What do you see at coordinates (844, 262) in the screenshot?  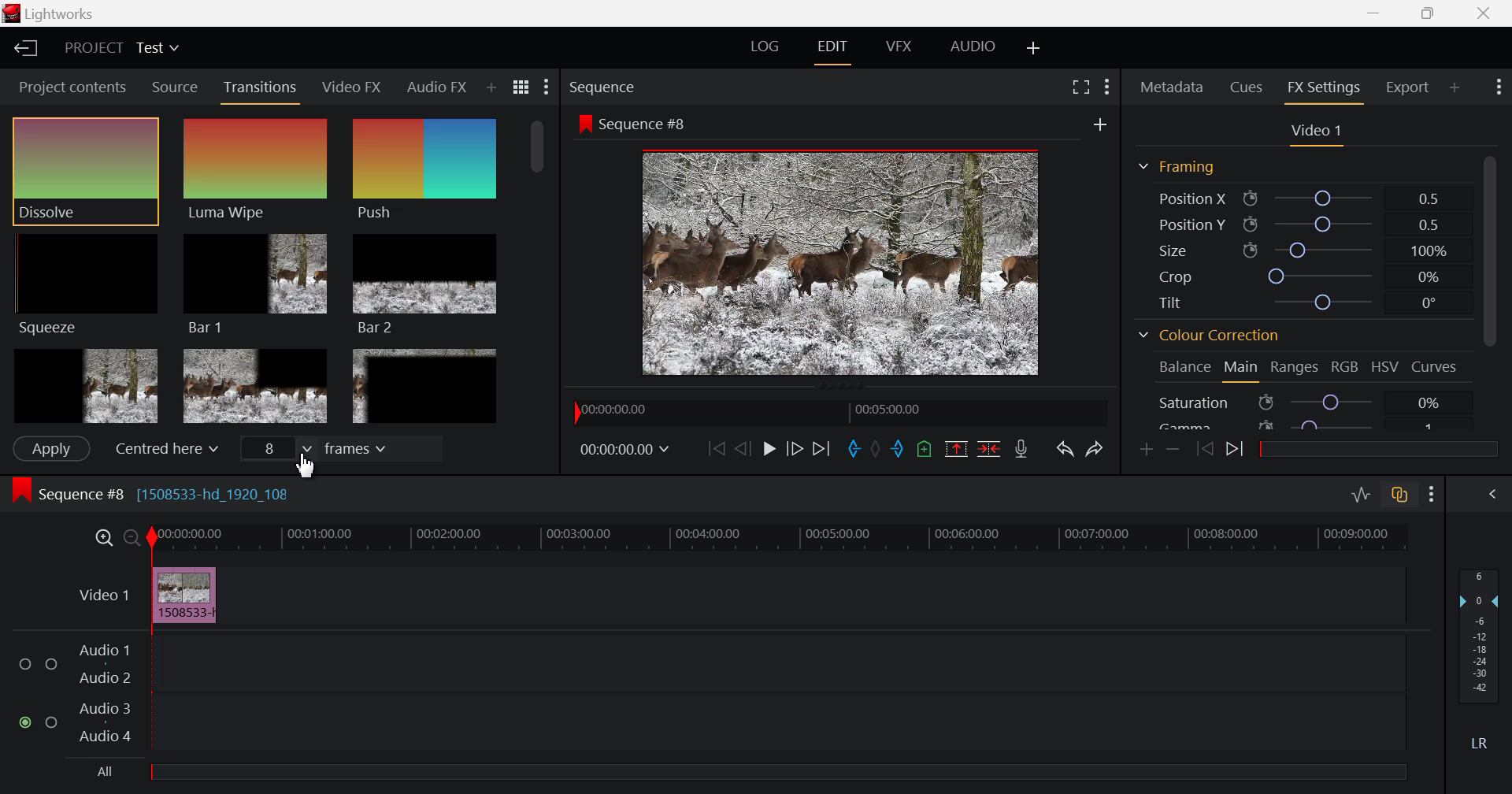 I see `Sequence Preview Screen` at bounding box center [844, 262].